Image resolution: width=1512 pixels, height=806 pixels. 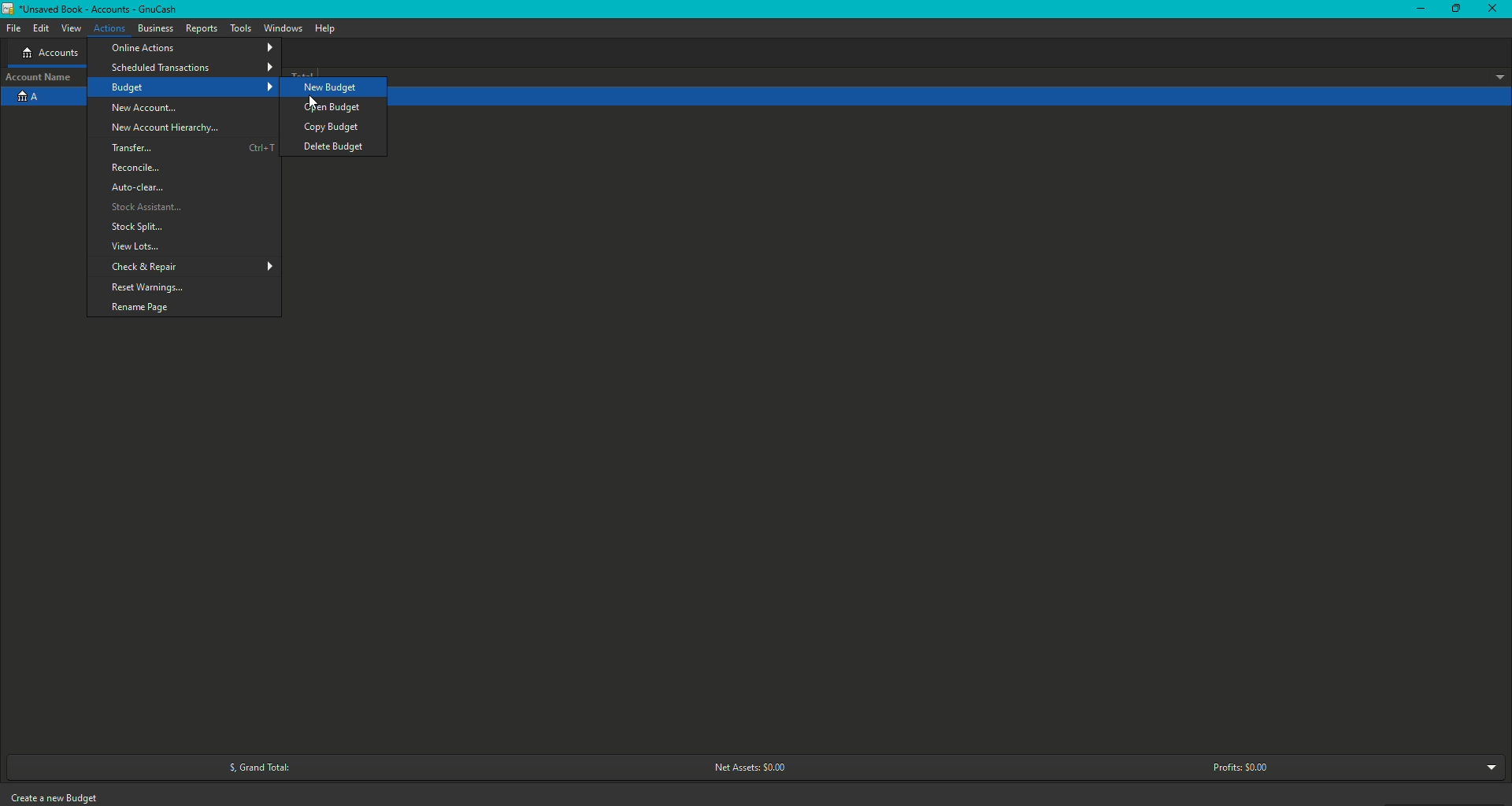 What do you see at coordinates (1454, 9) in the screenshot?
I see `Restore` at bounding box center [1454, 9].